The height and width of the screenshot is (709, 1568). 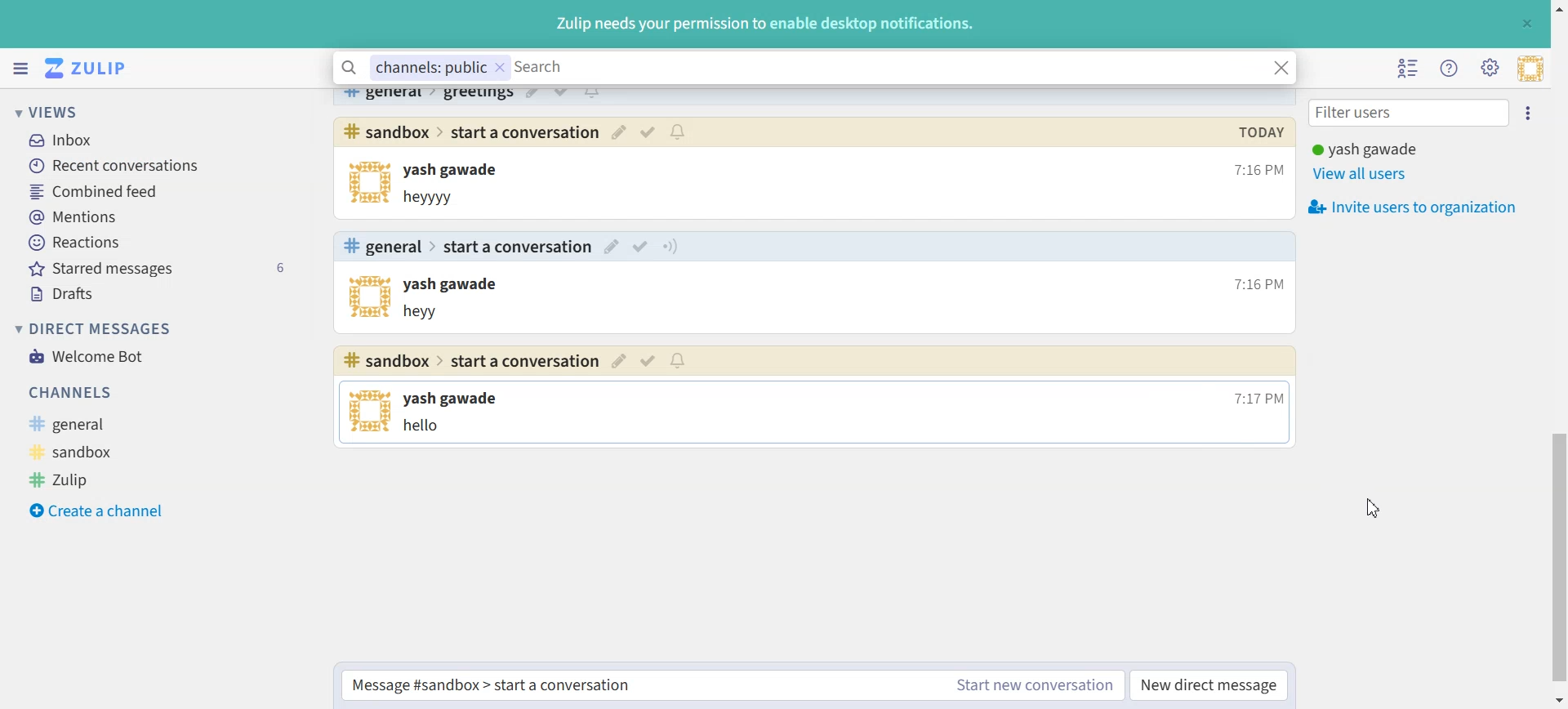 I want to click on Help Menu, so click(x=1450, y=69).